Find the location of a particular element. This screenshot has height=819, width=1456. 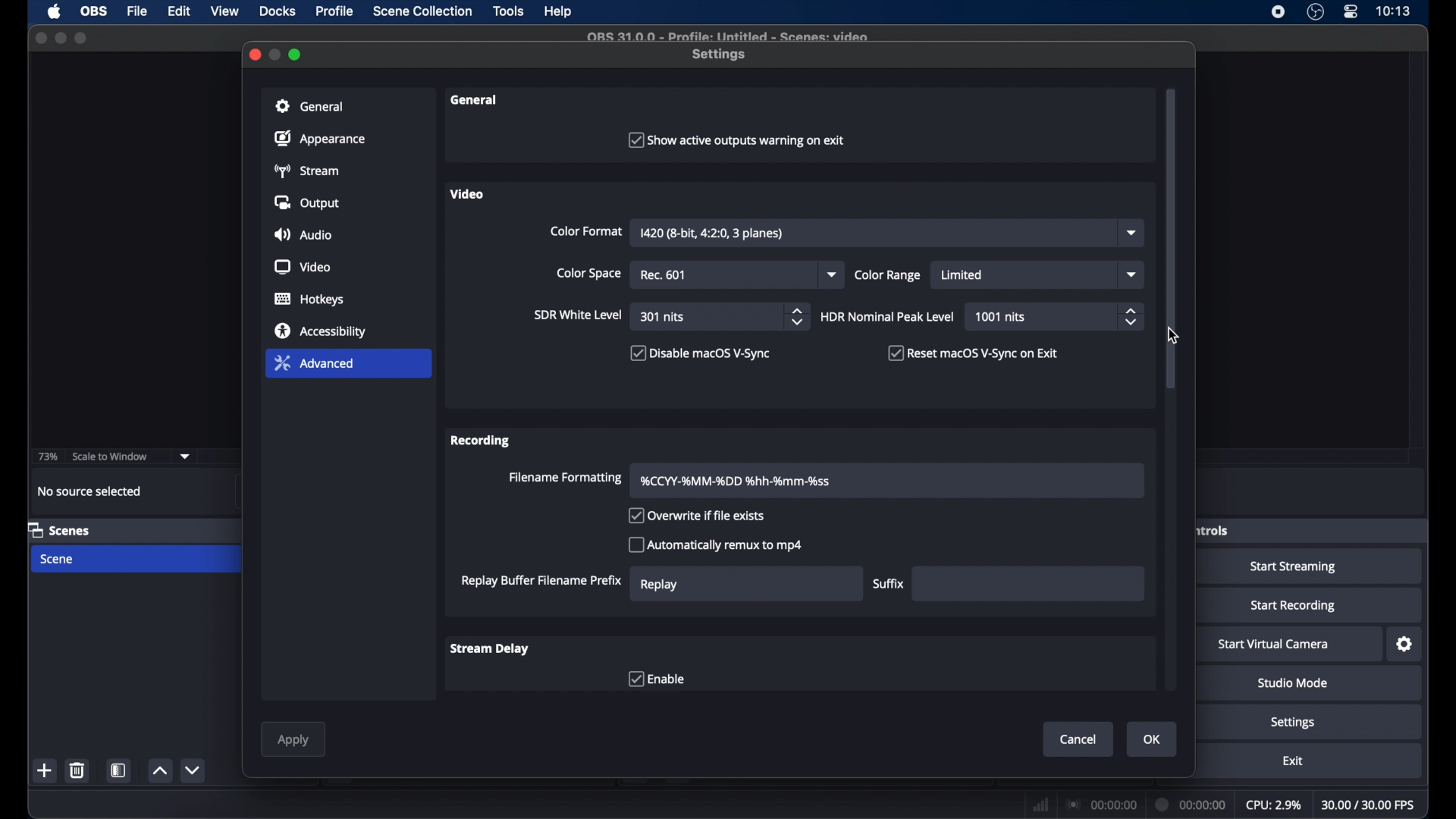

file name is located at coordinates (726, 35).